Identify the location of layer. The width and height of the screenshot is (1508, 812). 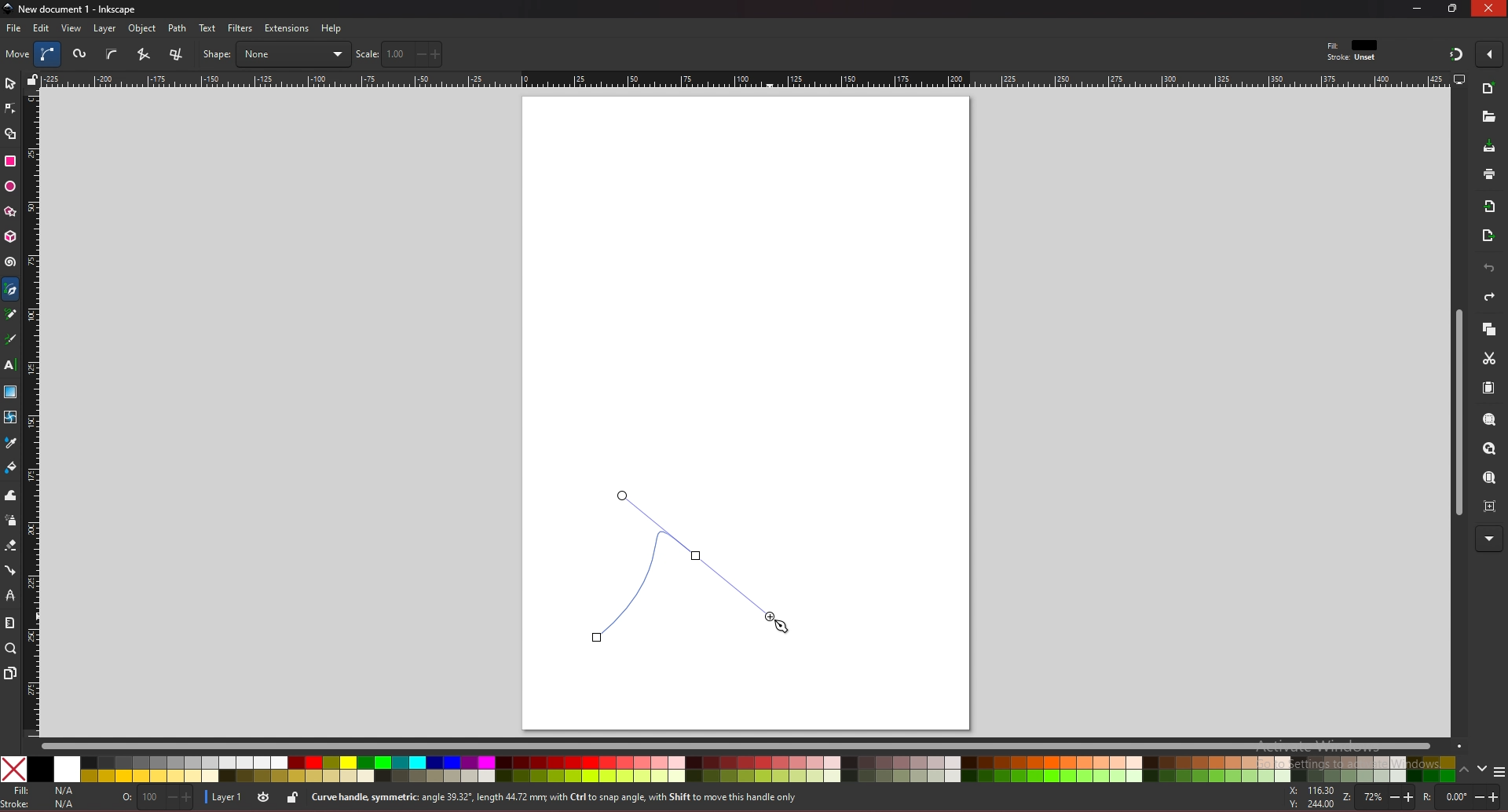
(104, 28).